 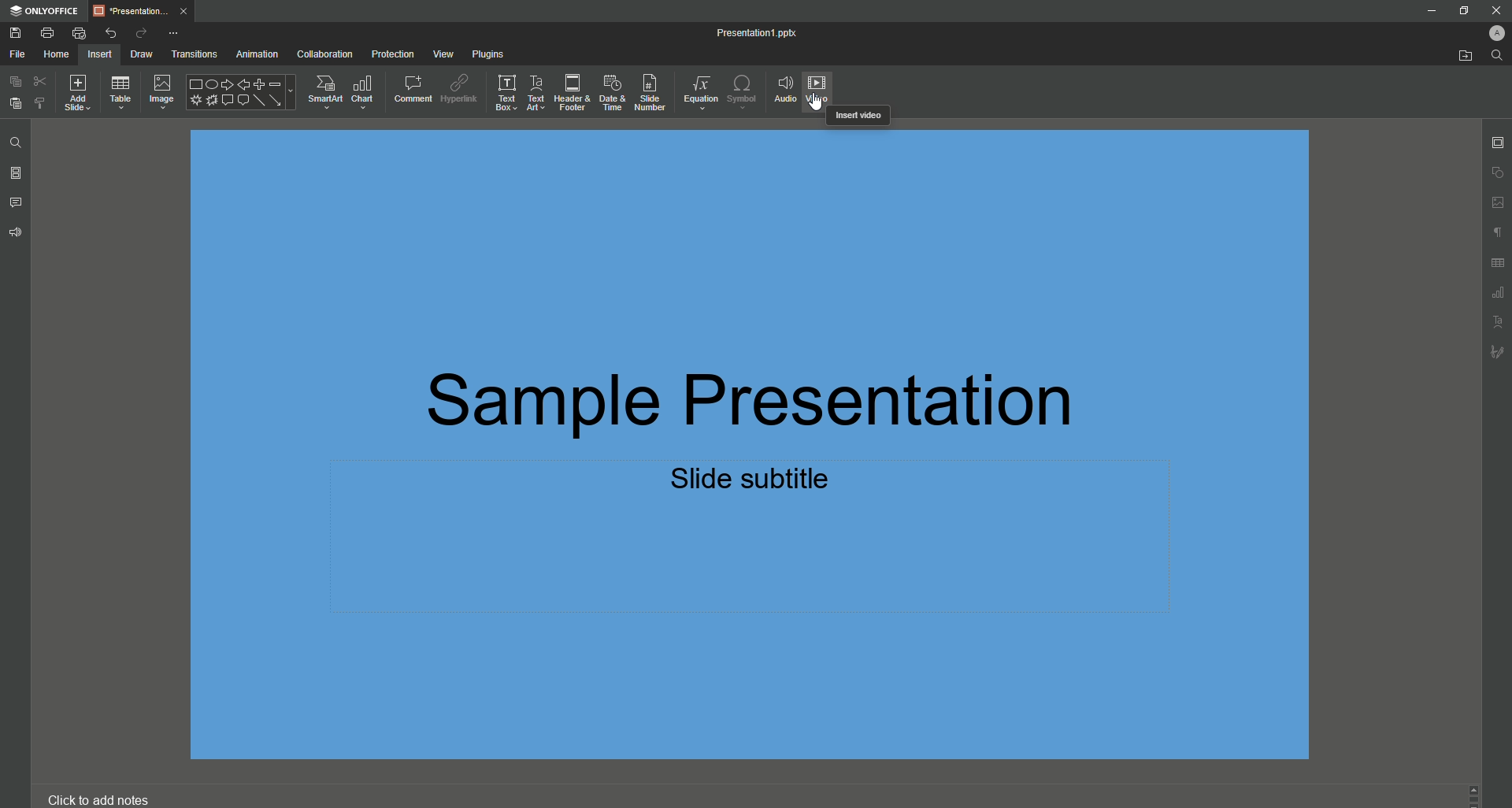 I want to click on Save, so click(x=14, y=33).